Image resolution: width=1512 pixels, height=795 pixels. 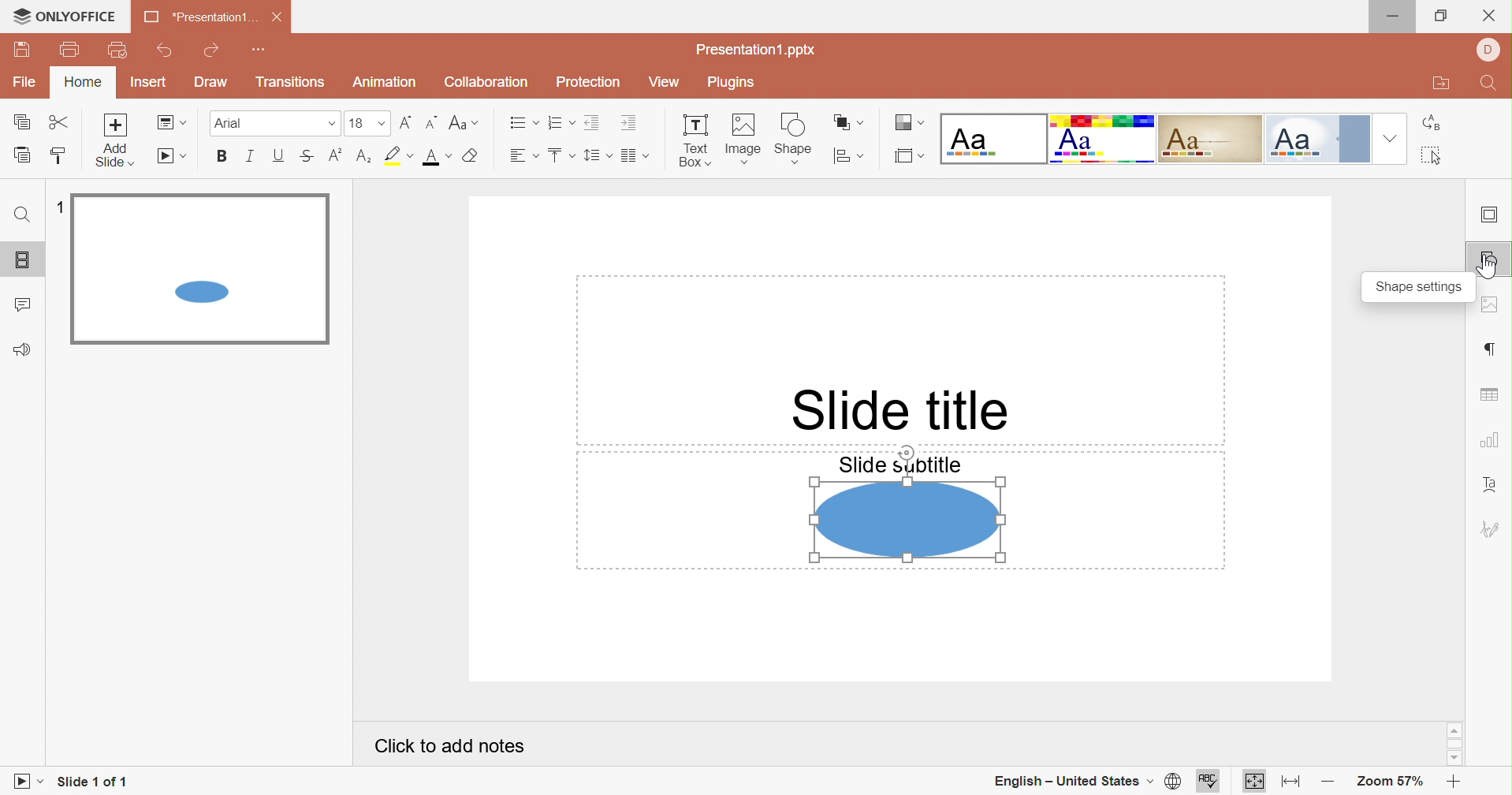 I want to click on Feedback & Support, so click(x=27, y=349).